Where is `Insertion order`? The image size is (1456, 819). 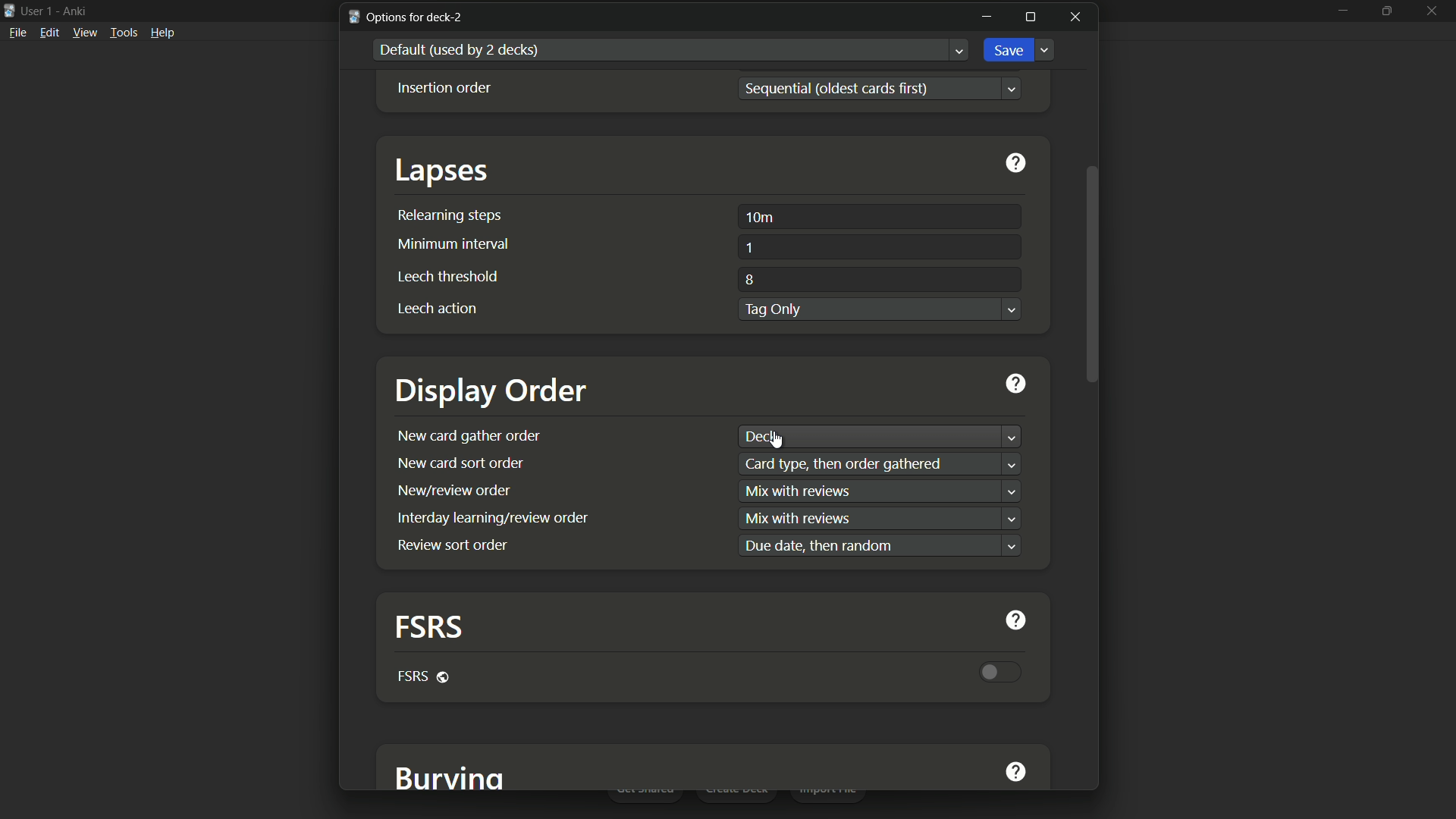 Insertion order is located at coordinates (444, 88).